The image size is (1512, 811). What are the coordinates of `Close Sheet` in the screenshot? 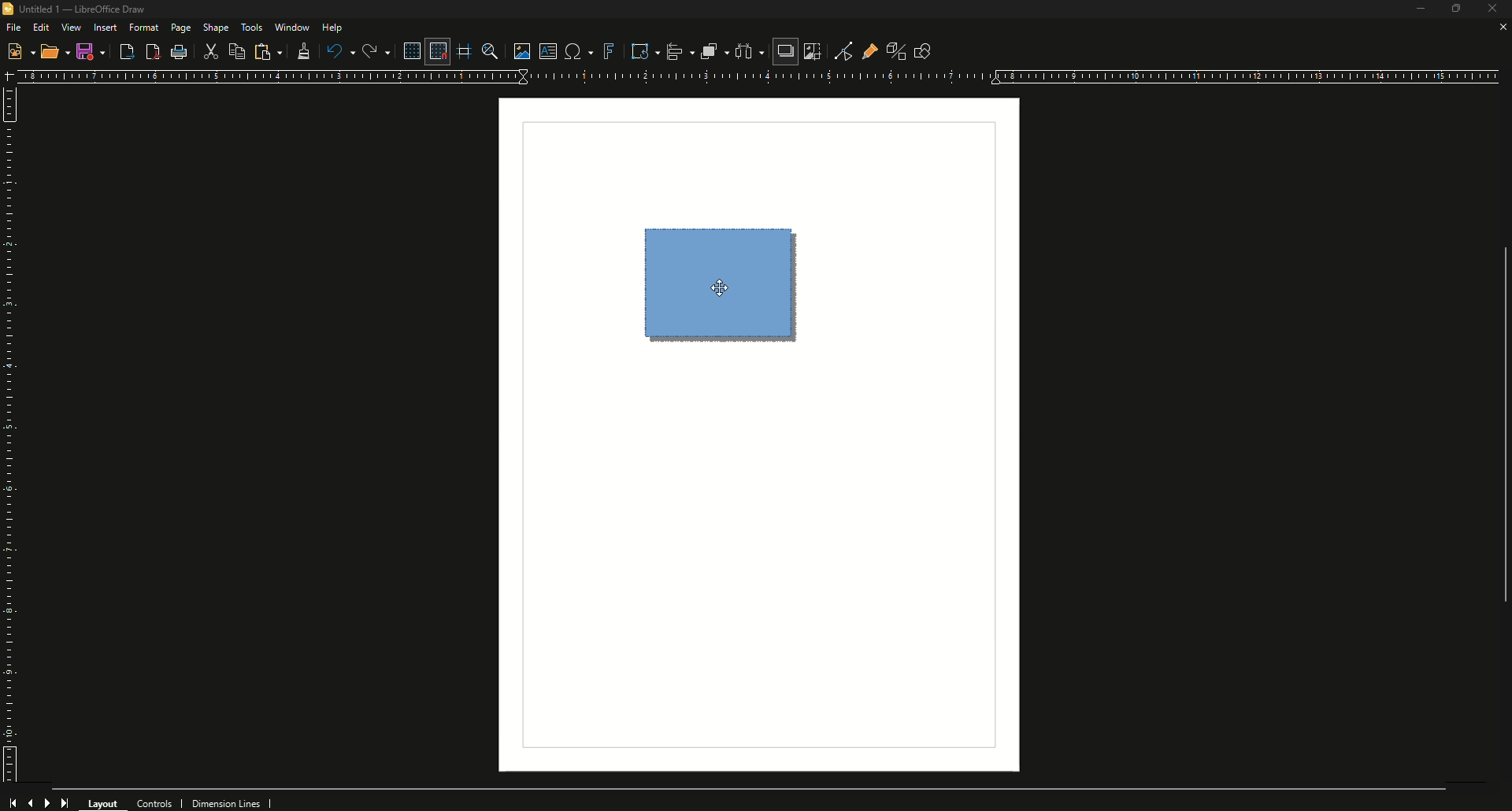 It's located at (1500, 28).